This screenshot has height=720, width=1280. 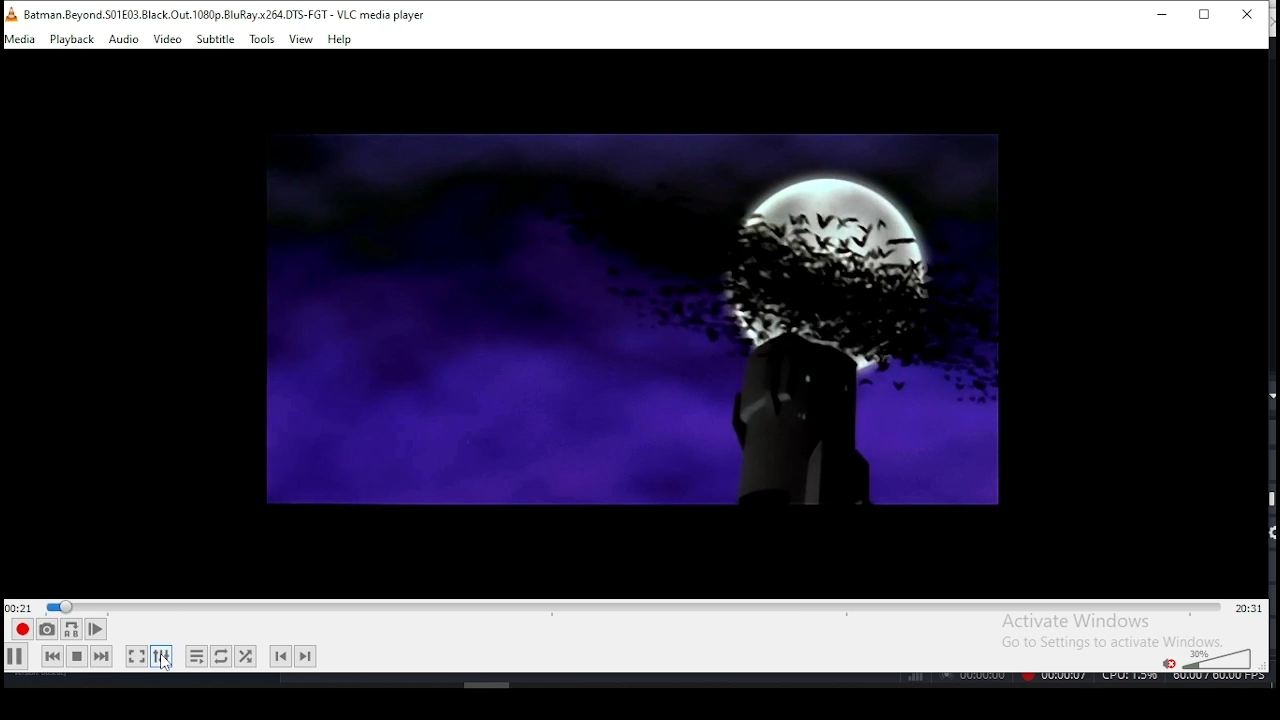 I want to click on previous media in track, skips backward when held, so click(x=51, y=658).